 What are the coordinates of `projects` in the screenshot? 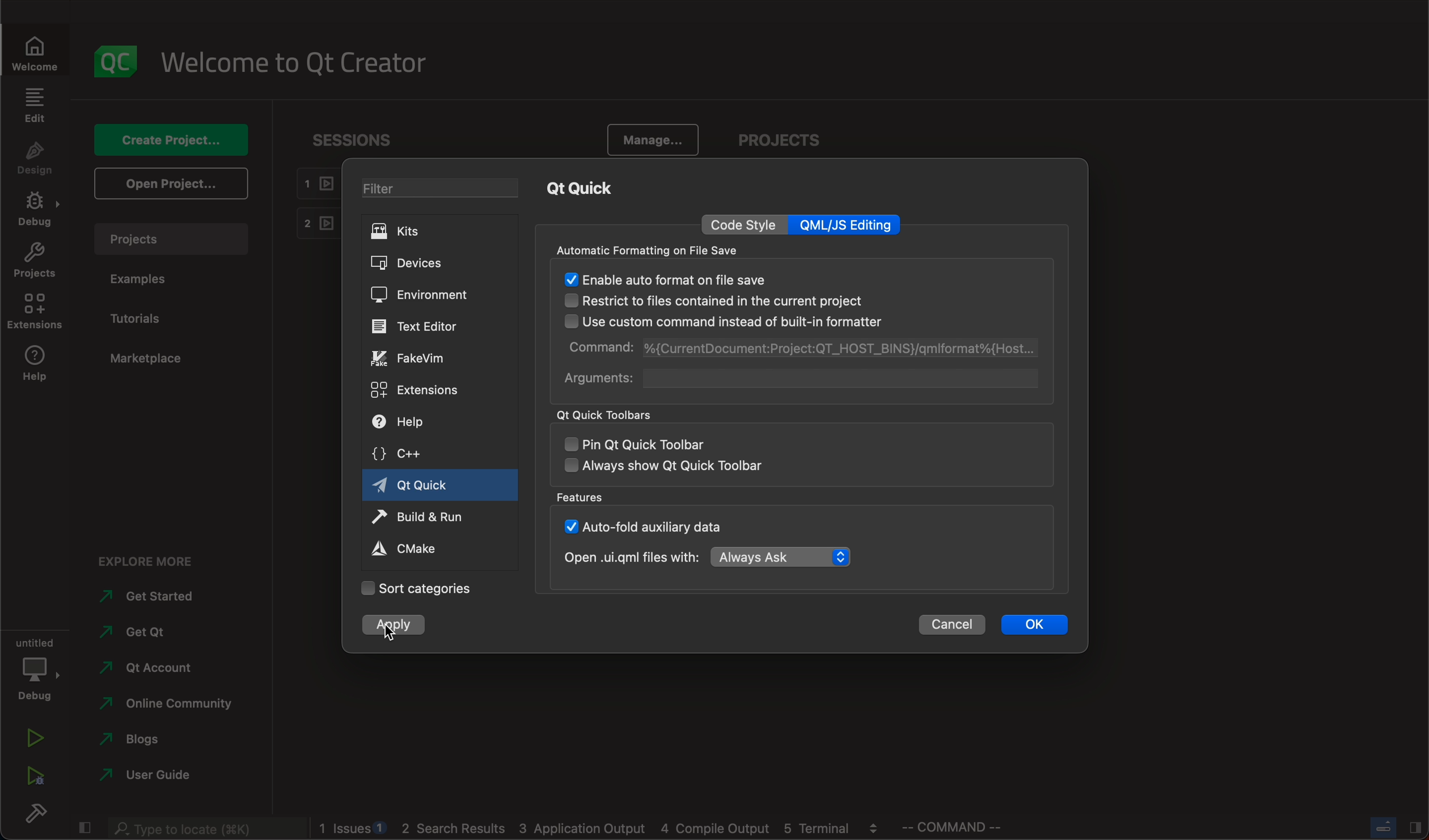 It's located at (775, 140).